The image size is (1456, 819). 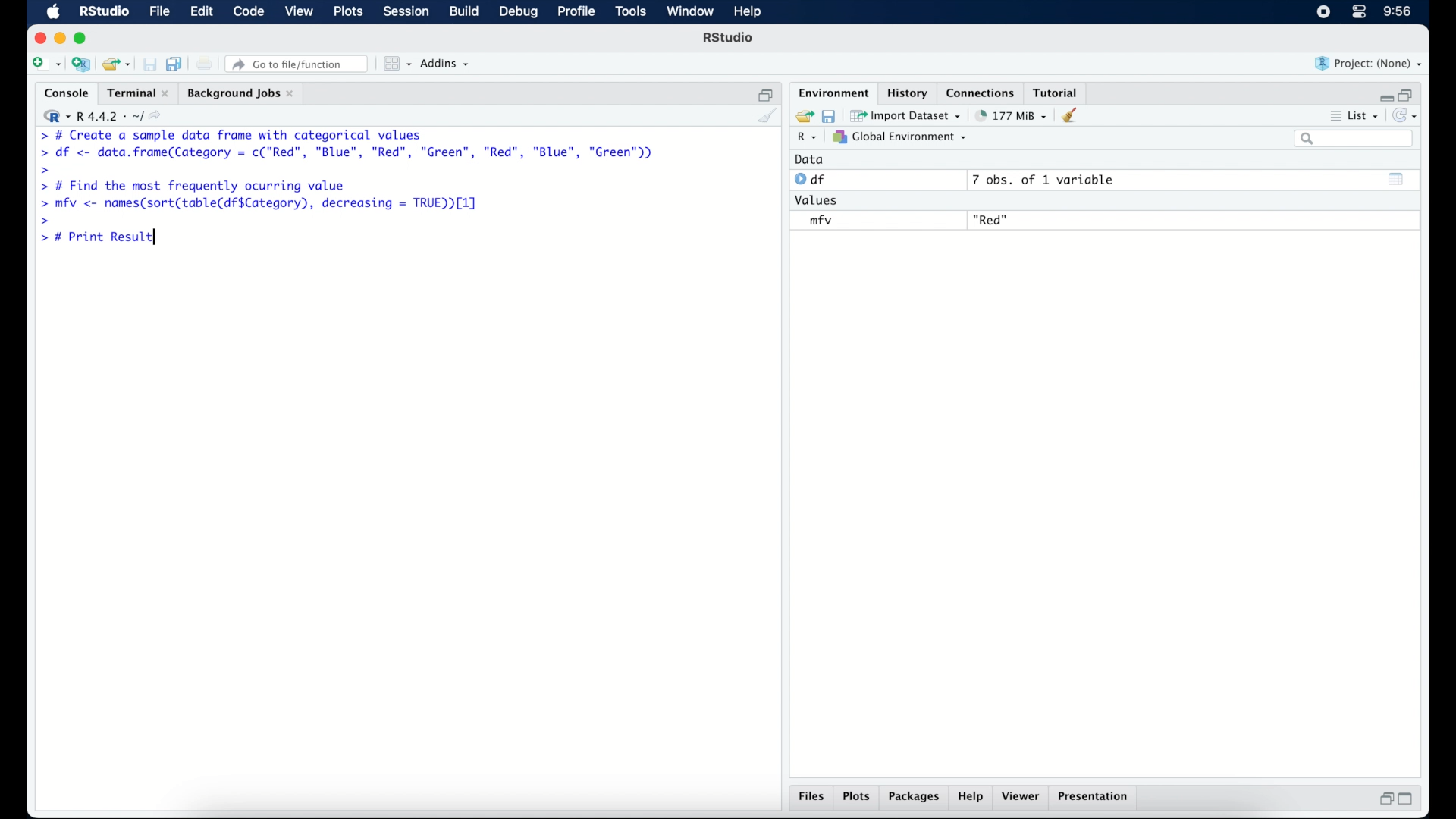 I want to click on restore down, so click(x=764, y=92).